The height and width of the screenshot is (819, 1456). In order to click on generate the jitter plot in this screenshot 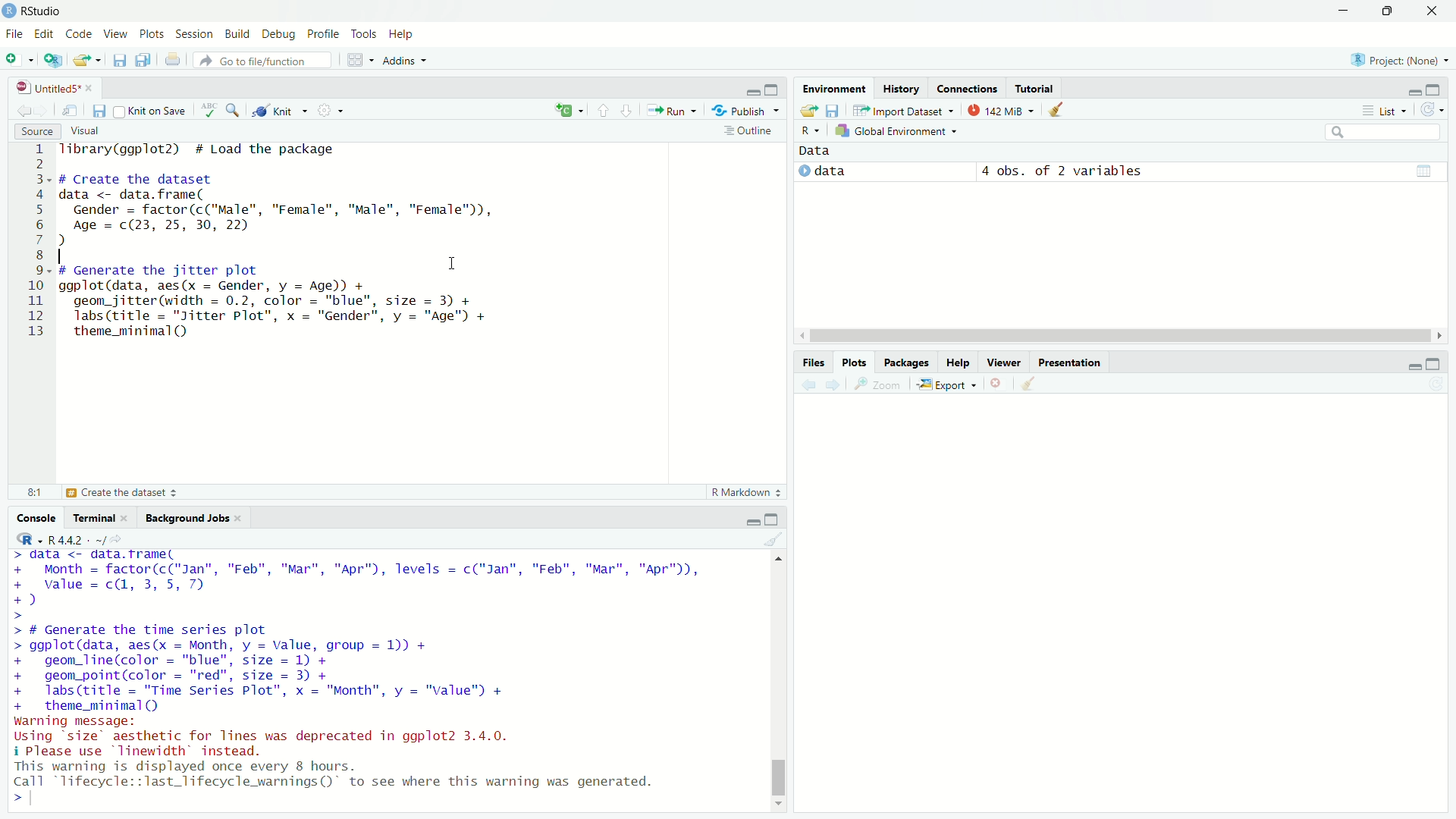, I will do `click(136, 493)`.